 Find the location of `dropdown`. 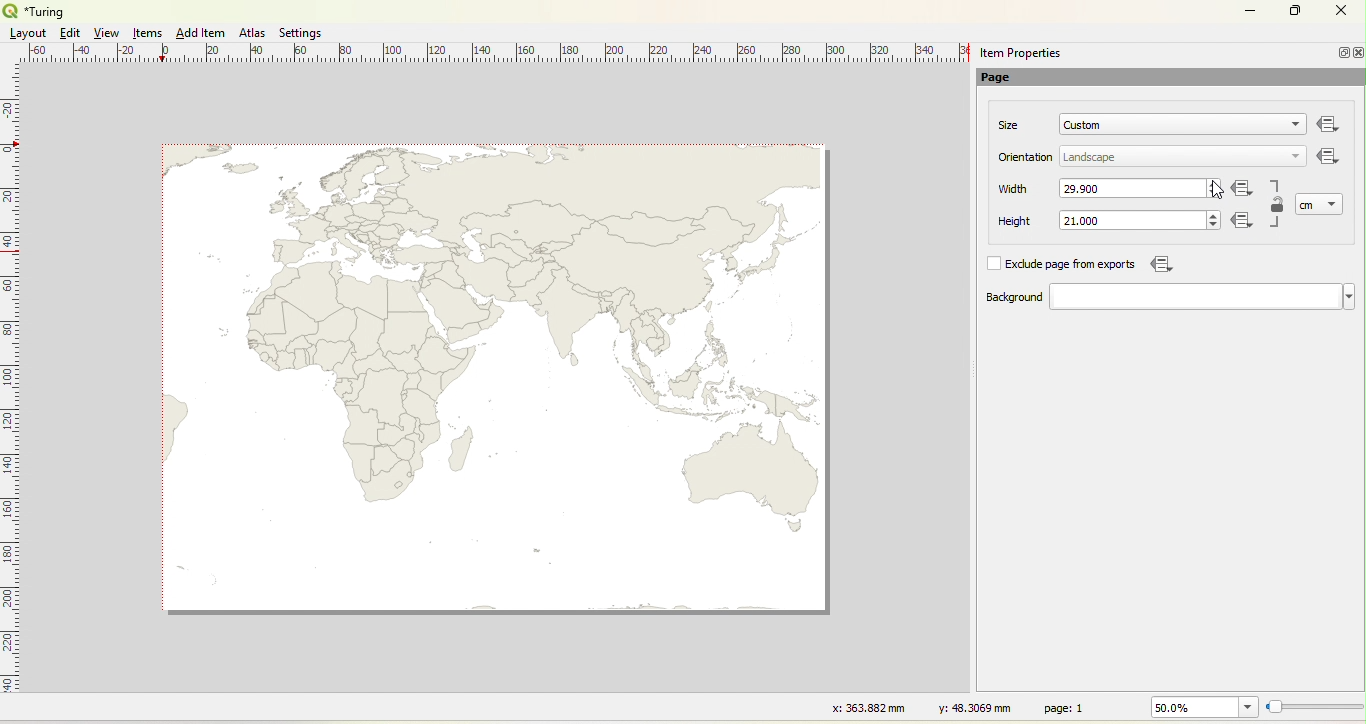

dropdown is located at coordinates (1334, 203).